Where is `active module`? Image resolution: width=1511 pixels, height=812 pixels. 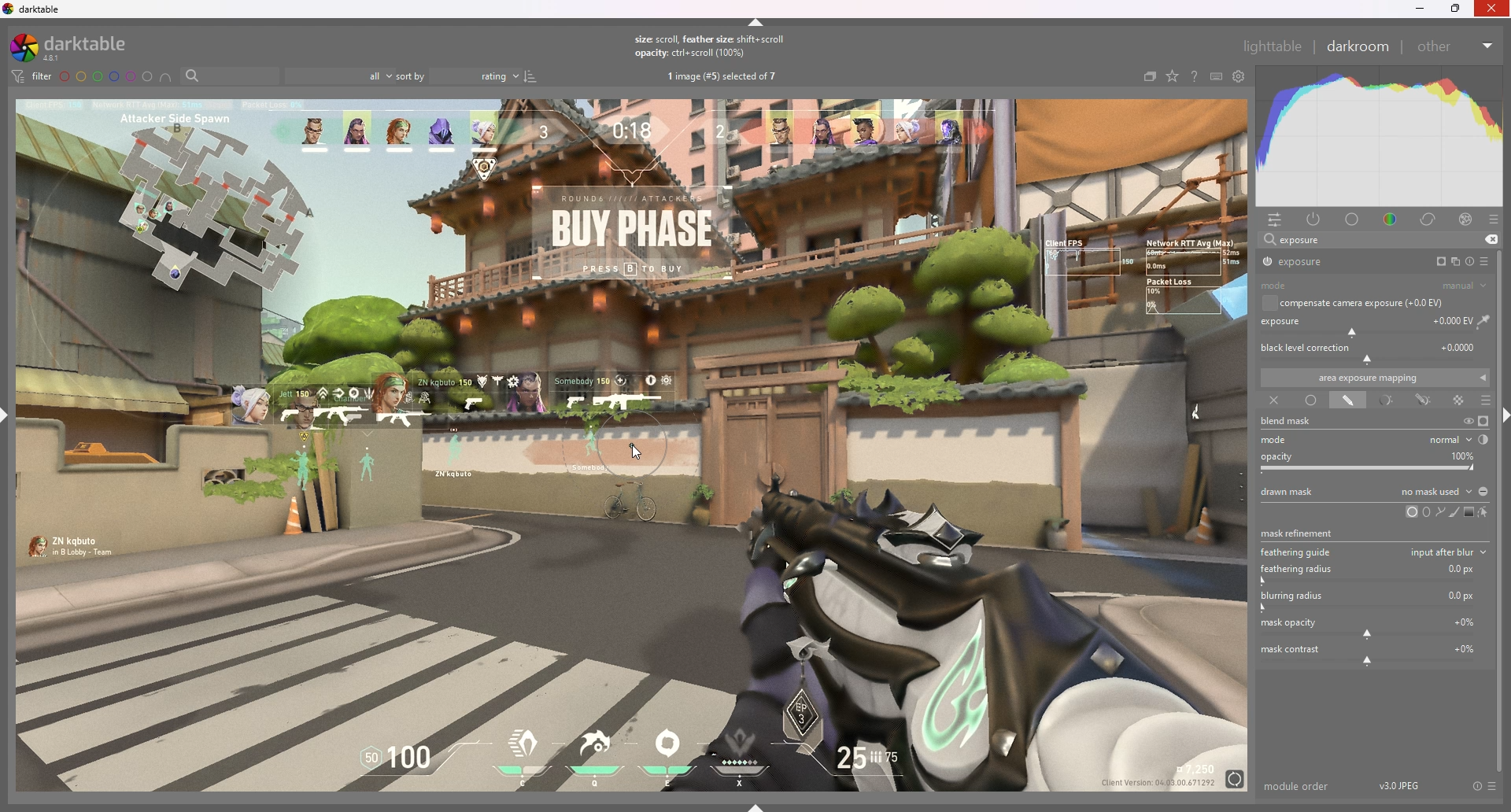
active module is located at coordinates (1316, 220).